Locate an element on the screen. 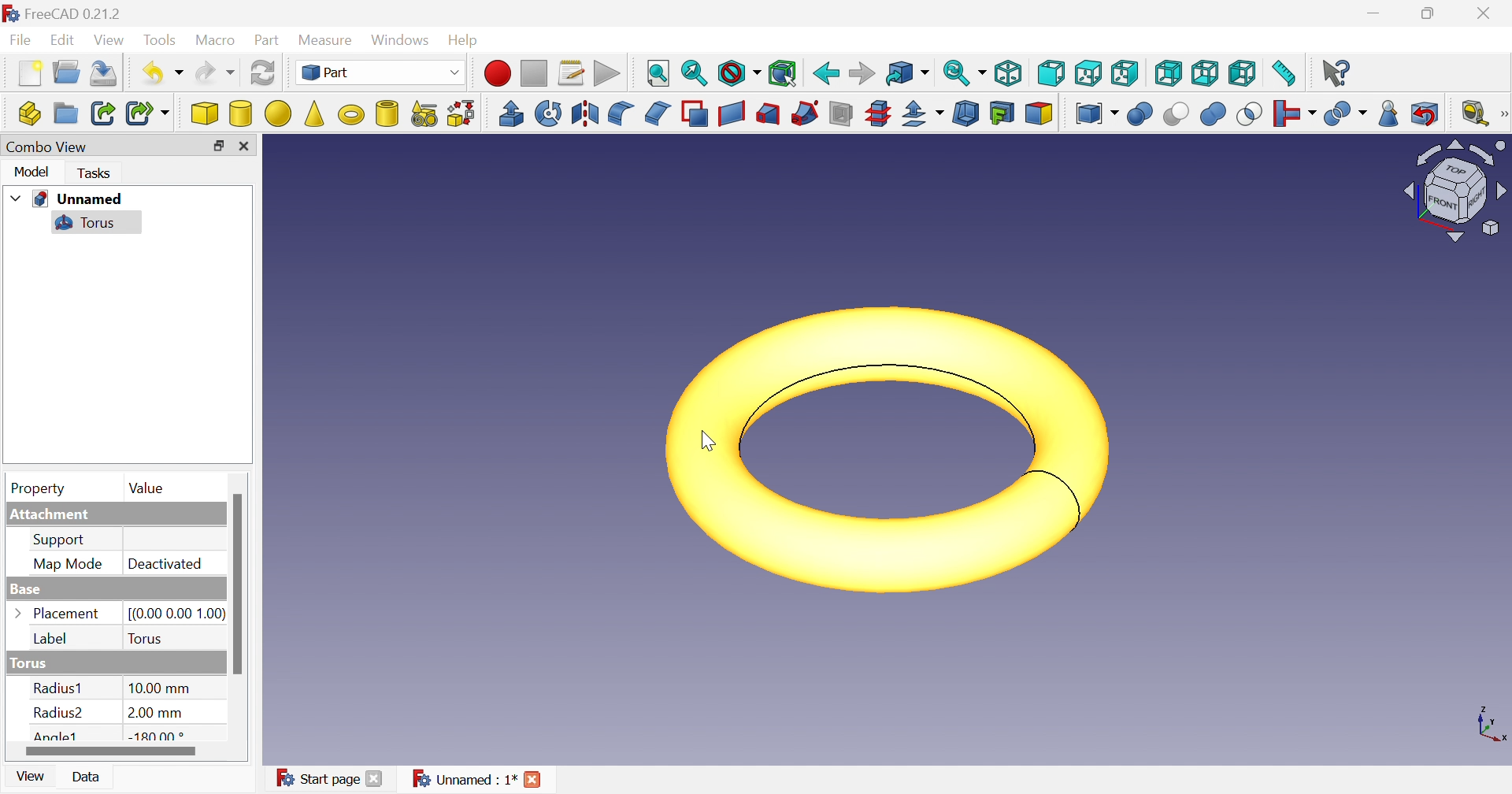 The height and width of the screenshot is (794, 1512). Bounding box is located at coordinates (782, 74).